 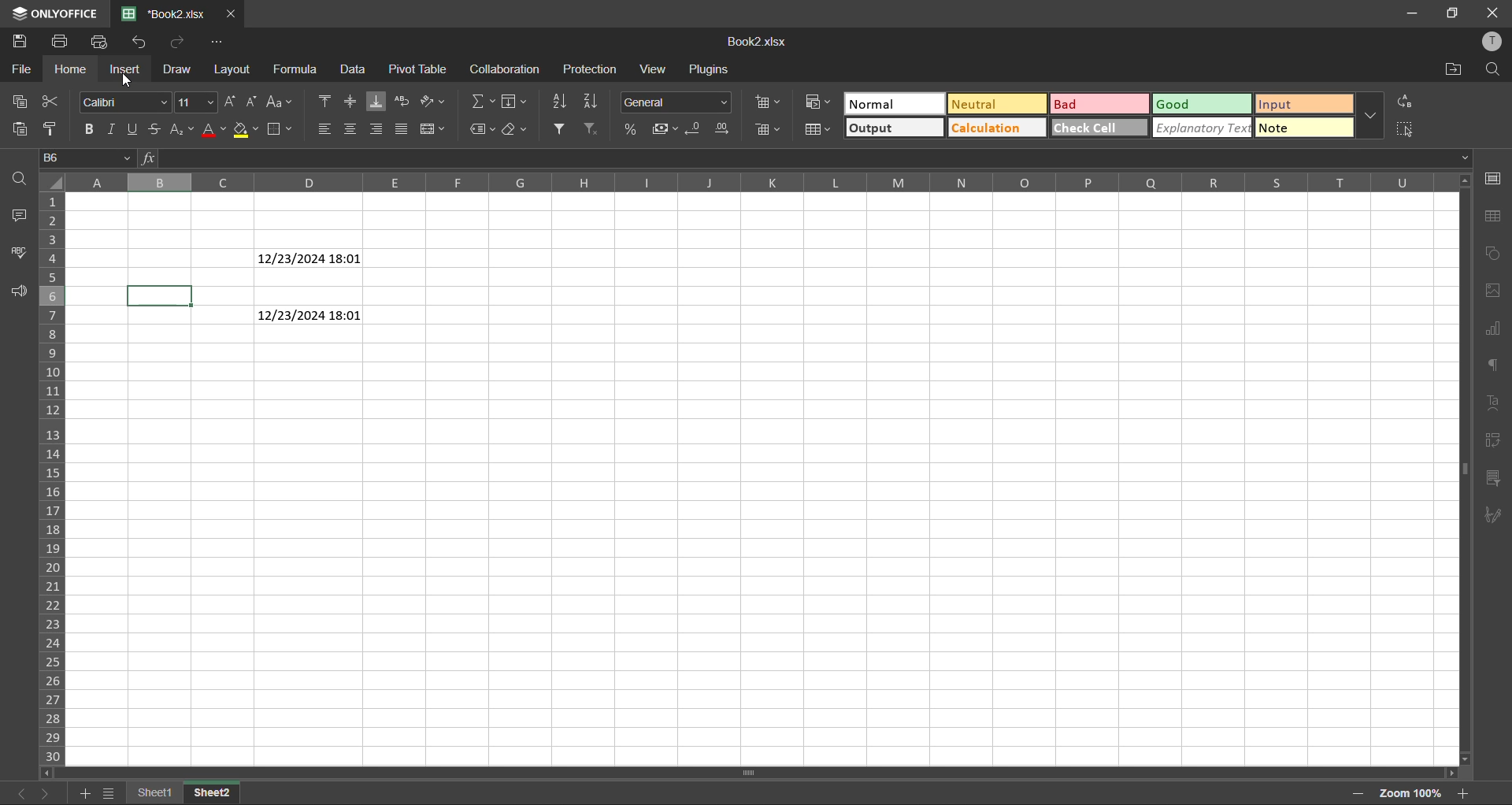 I want to click on scrollbar, so click(x=756, y=773).